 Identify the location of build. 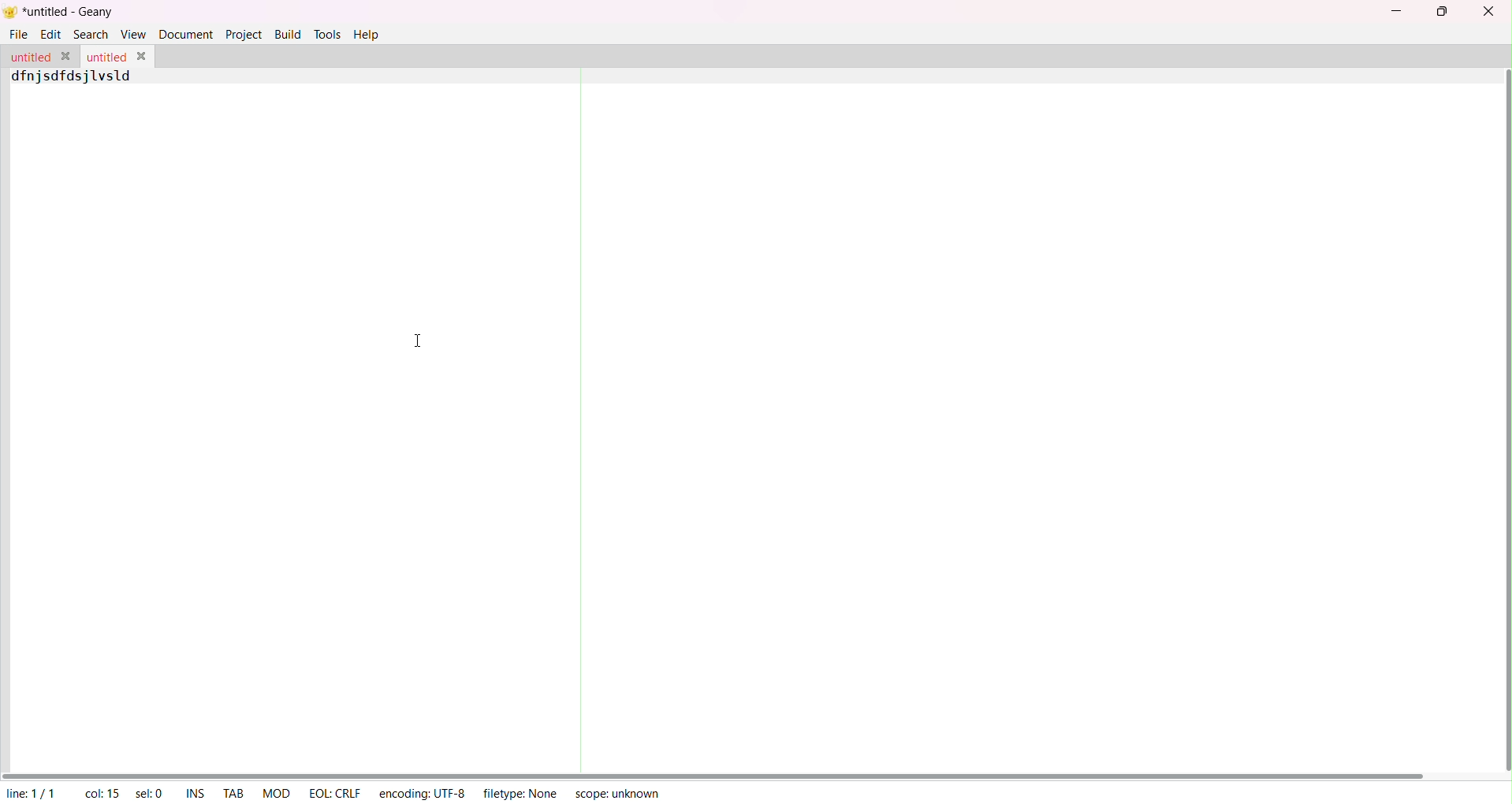
(286, 33).